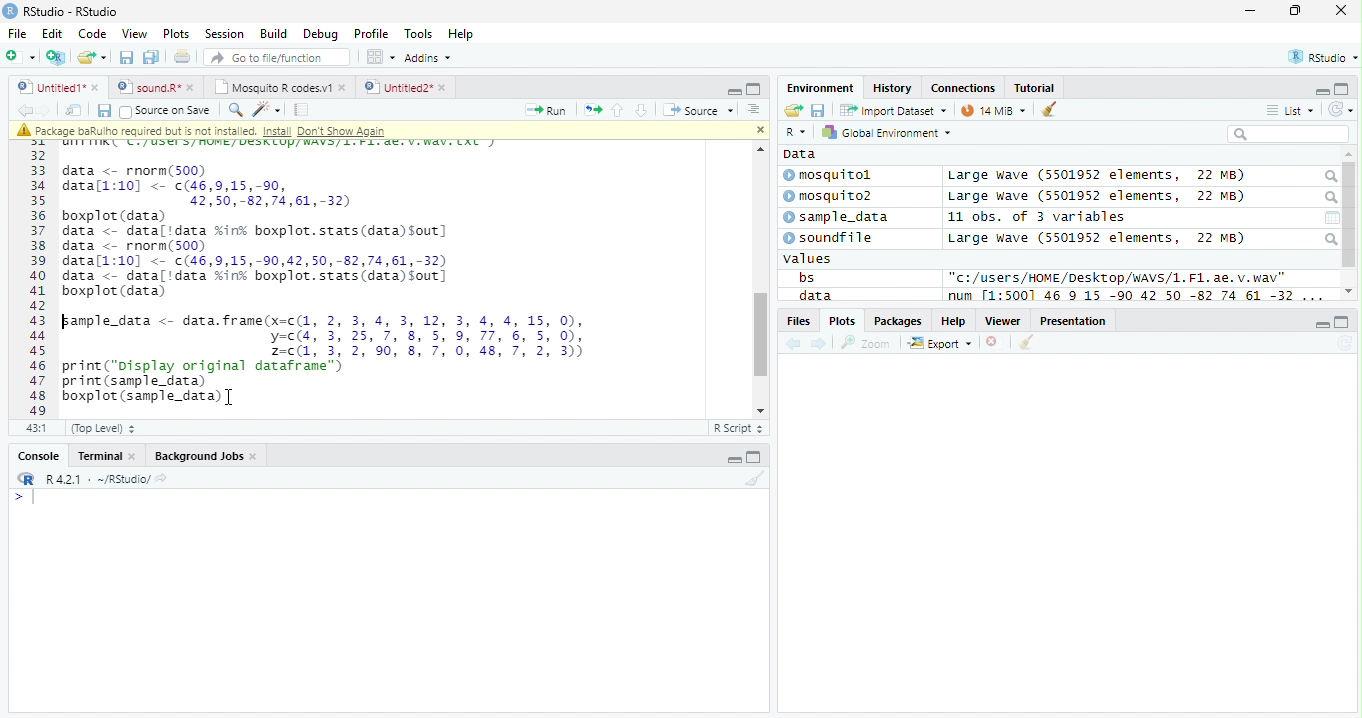 This screenshot has width=1362, height=718. What do you see at coordinates (153, 86) in the screenshot?
I see `sound.R*` at bounding box center [153, 86].